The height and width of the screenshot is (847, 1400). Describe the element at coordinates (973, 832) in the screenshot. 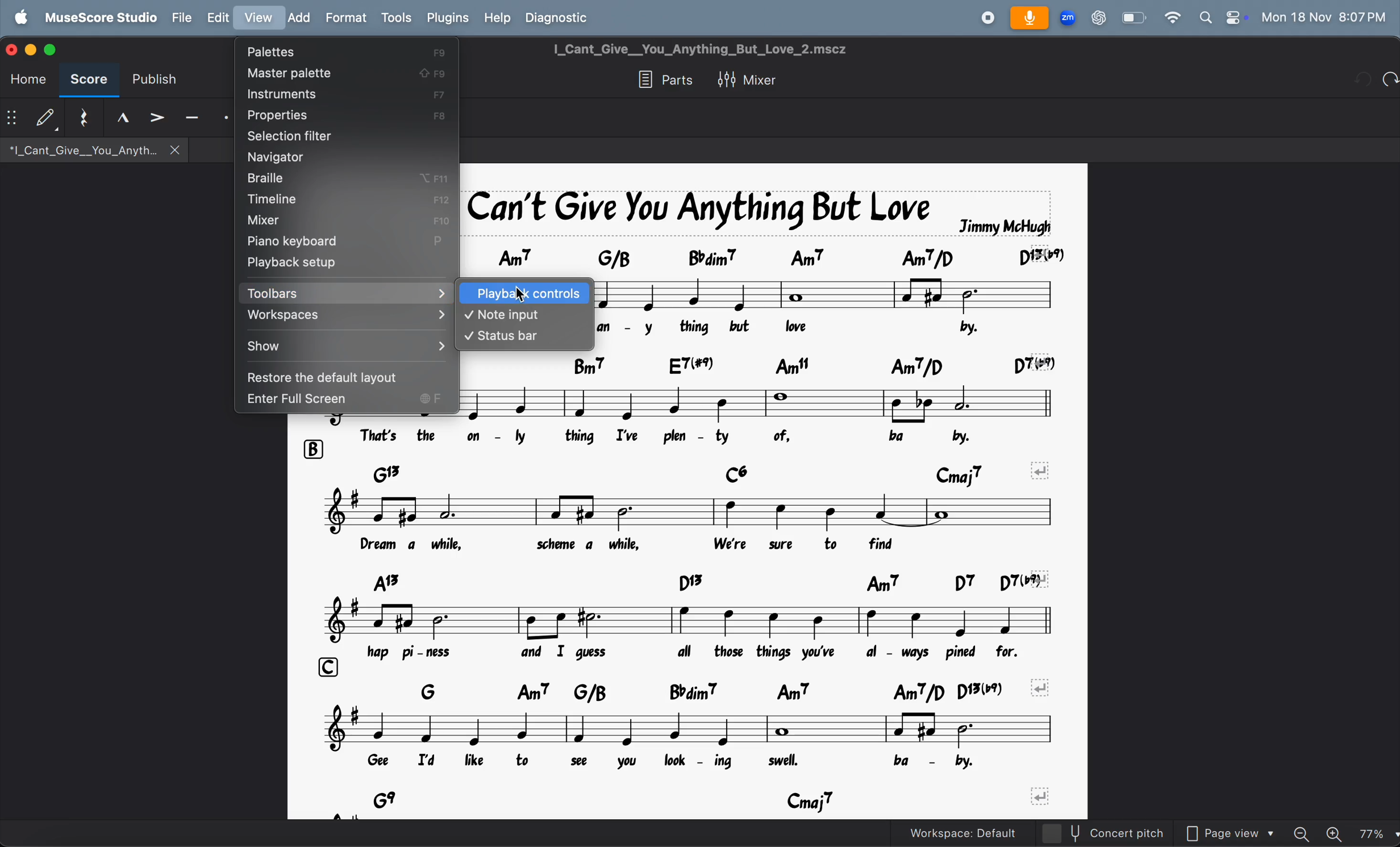

I see `workspace default` at that location.